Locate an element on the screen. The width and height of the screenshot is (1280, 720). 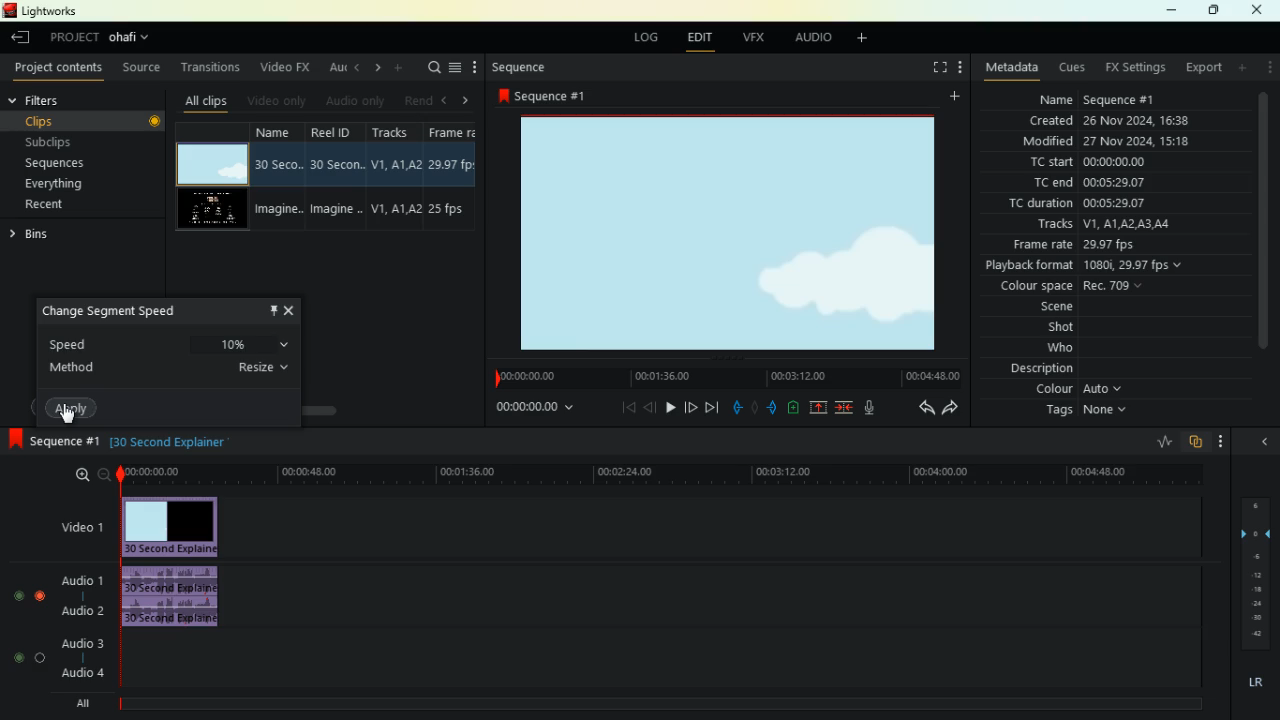
overlap is located at coordinates (1194, 442).